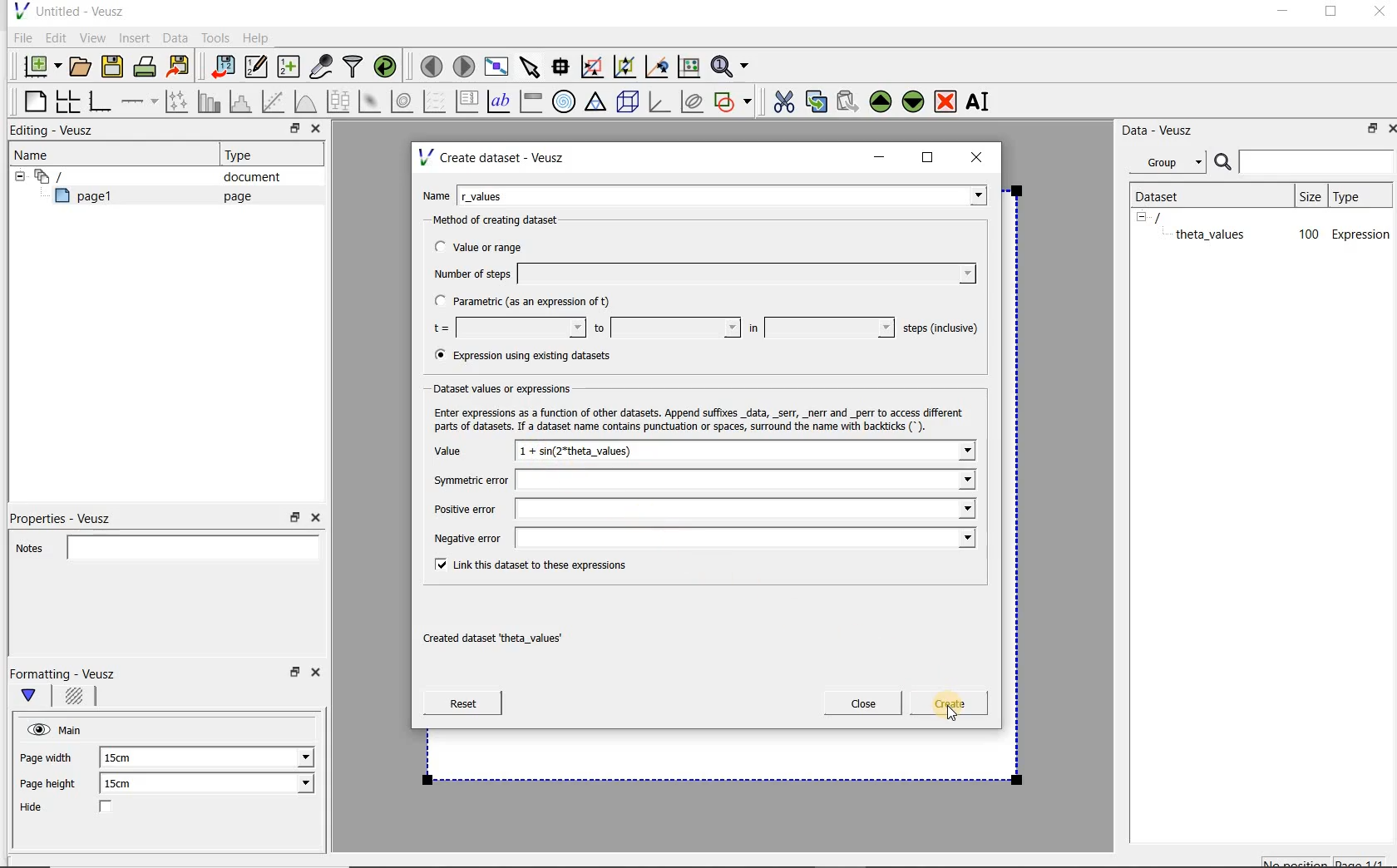  Describe the element at coordinates (435, 100) in the screenshot. I see `plot a vector field` at that location.